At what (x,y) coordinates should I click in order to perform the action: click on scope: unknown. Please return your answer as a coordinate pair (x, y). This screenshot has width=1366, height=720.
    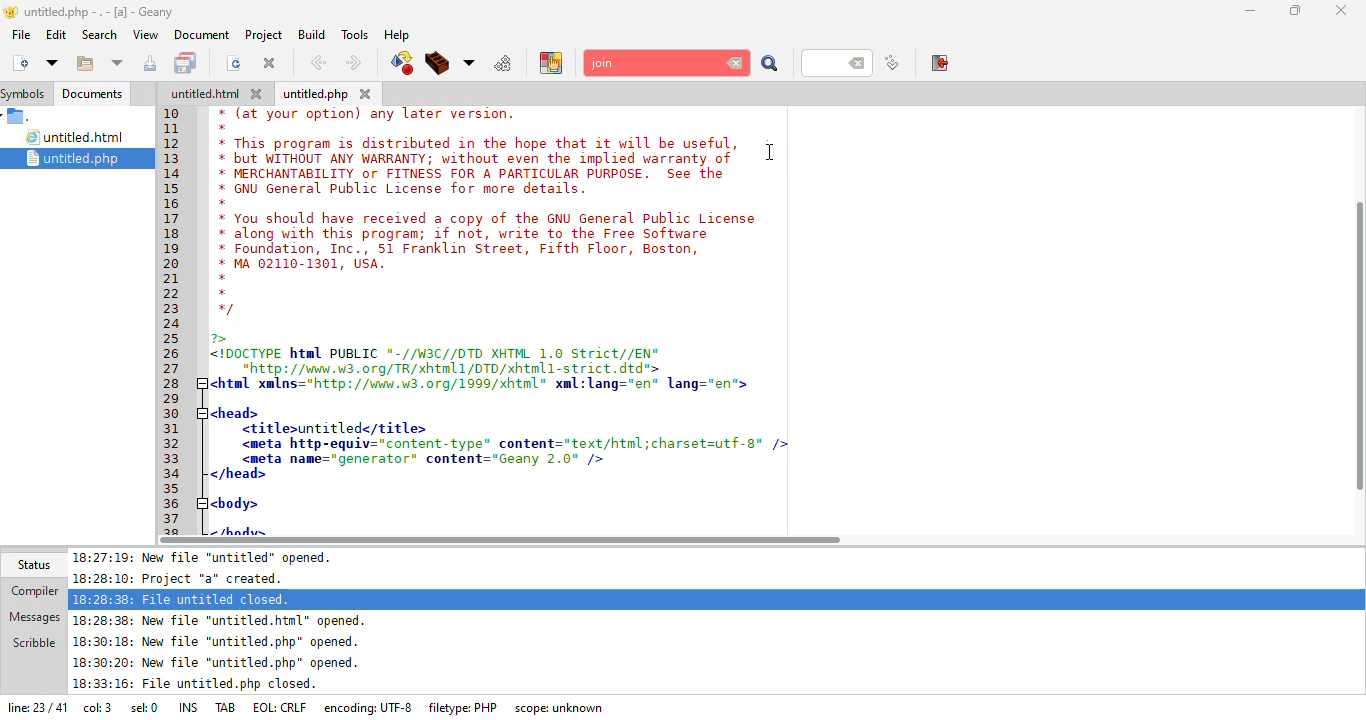
    Looking at the image, I should click on (561, 708).